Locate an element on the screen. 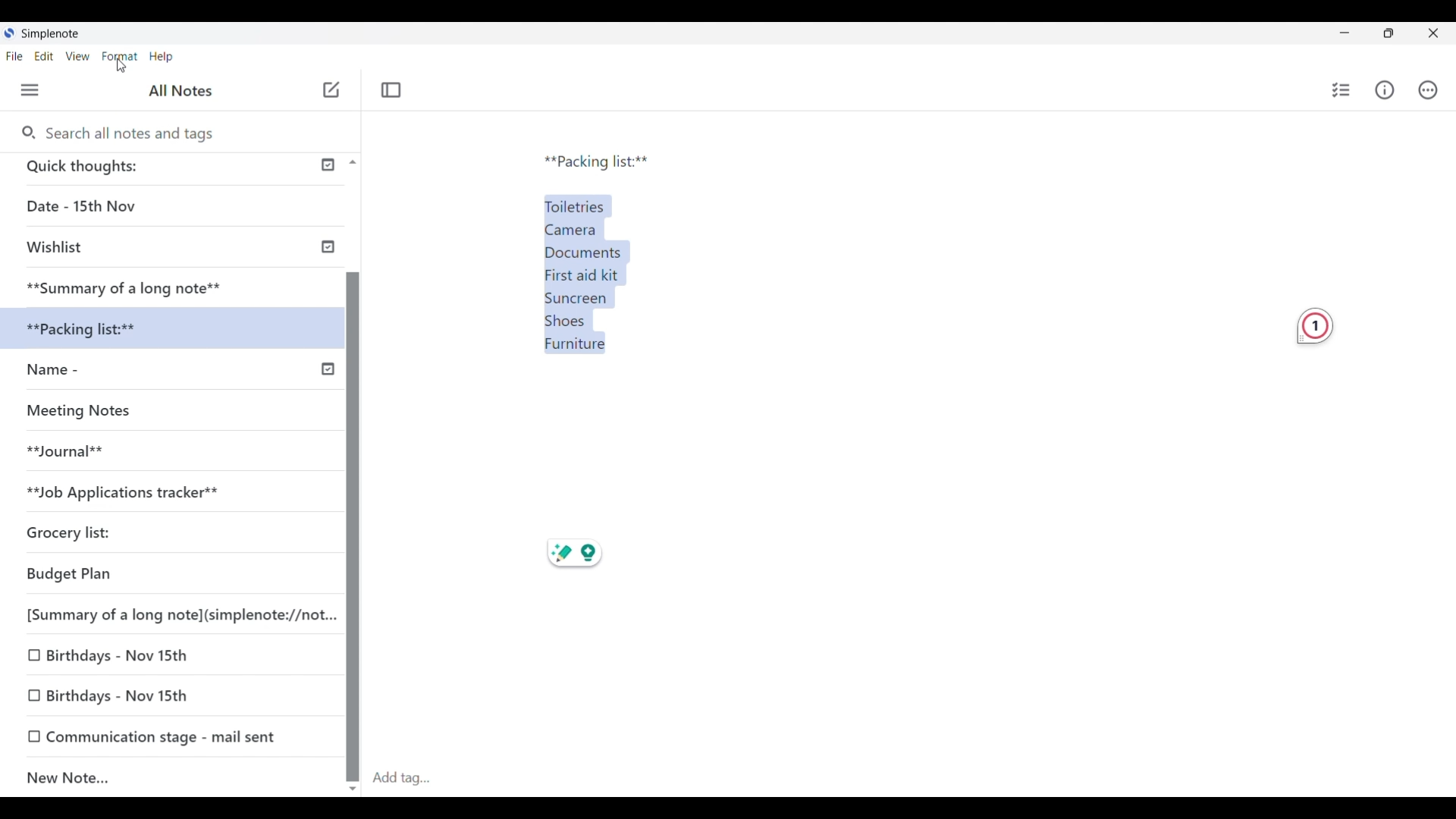  idea is located at coordinates (598, 555).